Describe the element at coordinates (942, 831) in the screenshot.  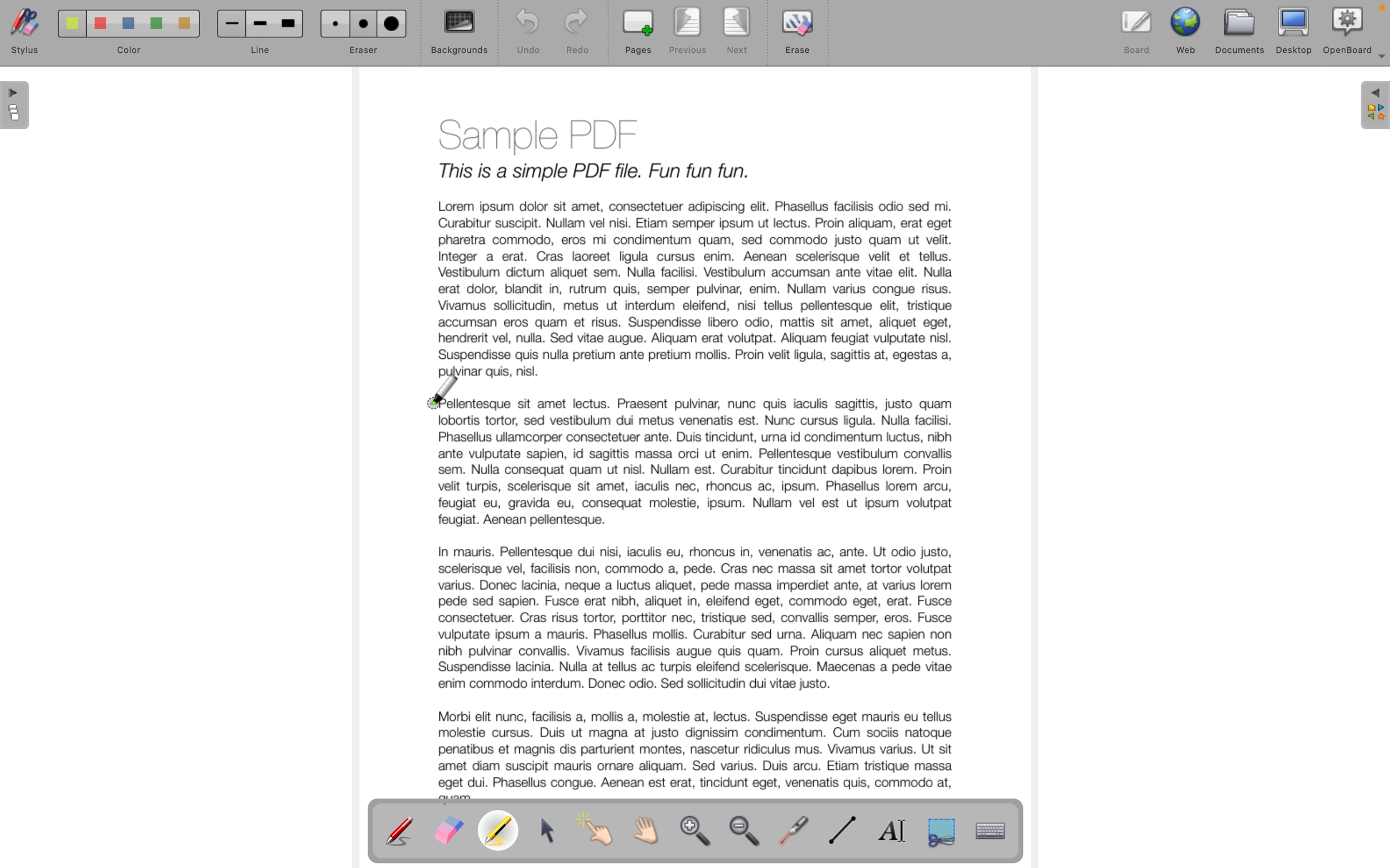
I see `capture a part of the screen` at that location.